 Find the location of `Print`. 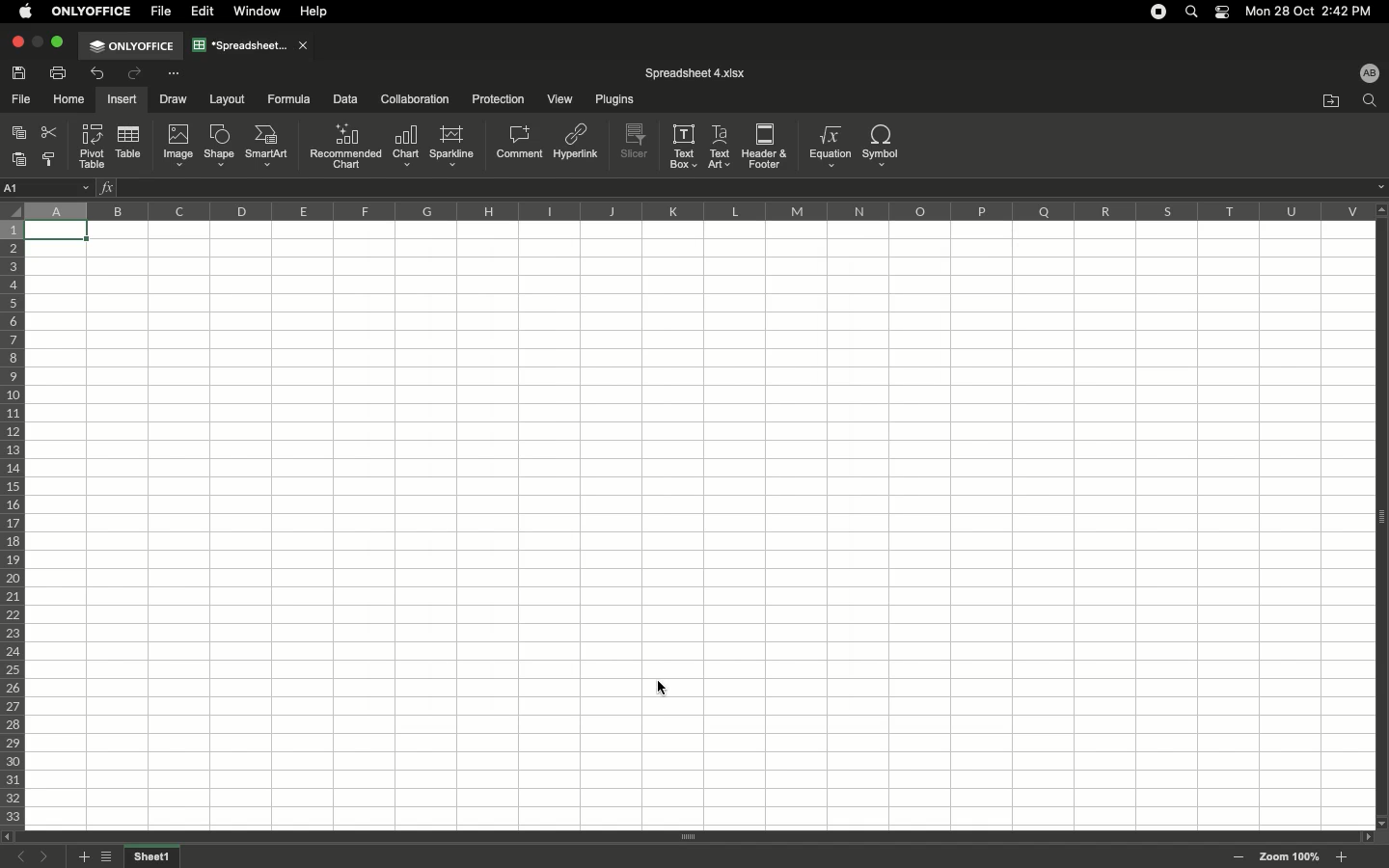

Print is located at coordinates (60, 72).